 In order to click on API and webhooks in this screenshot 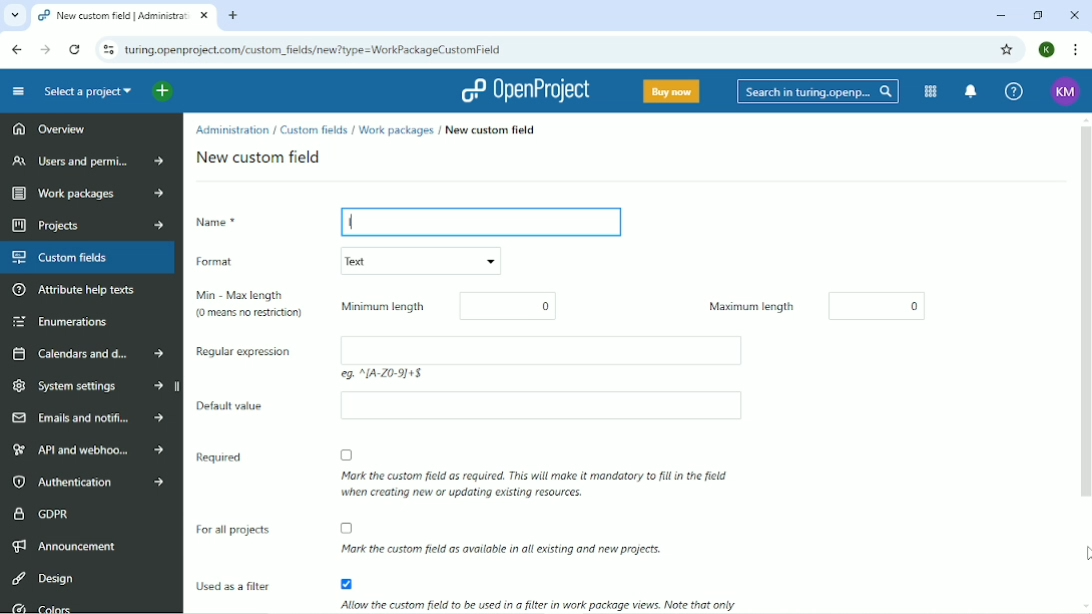, I will do `click(90, 449)`.